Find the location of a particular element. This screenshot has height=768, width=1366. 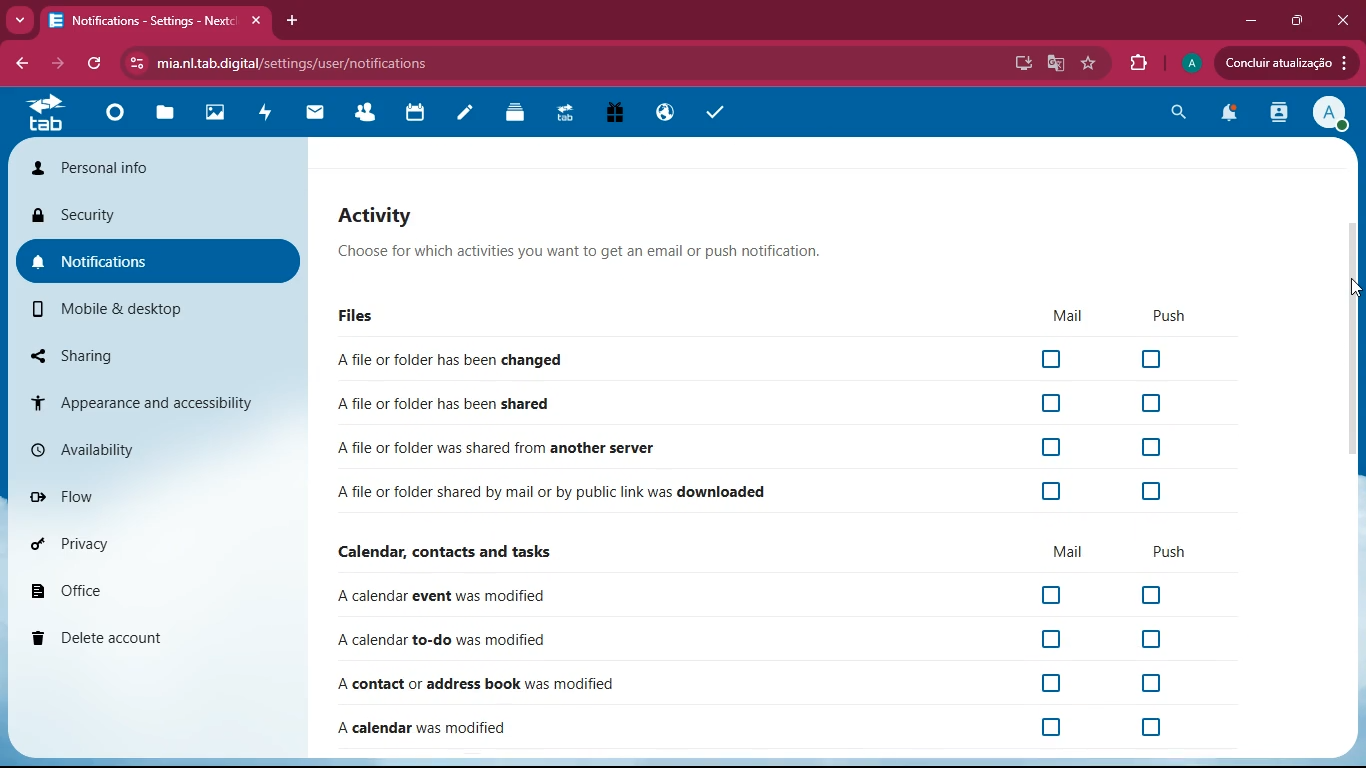

minimize is located at coordinates (1252, 20).